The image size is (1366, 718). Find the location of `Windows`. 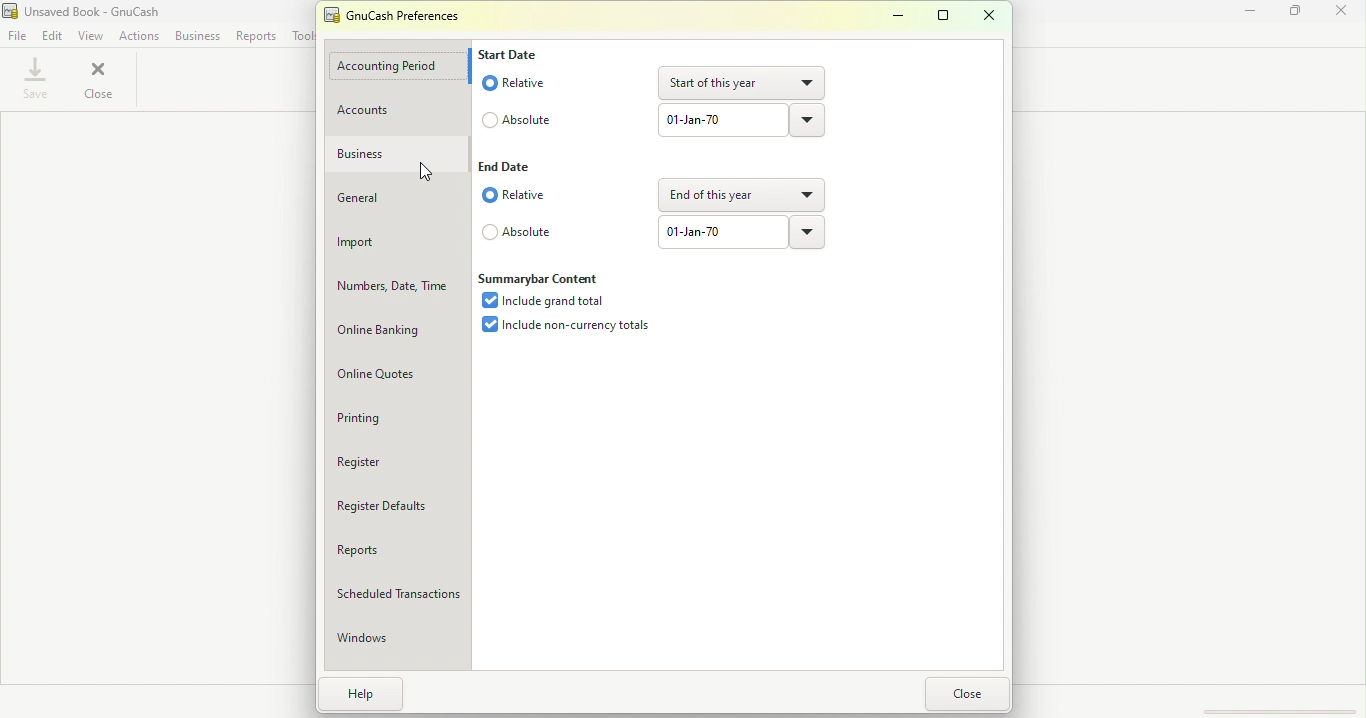

Windows is located at coordinates (394, 637).